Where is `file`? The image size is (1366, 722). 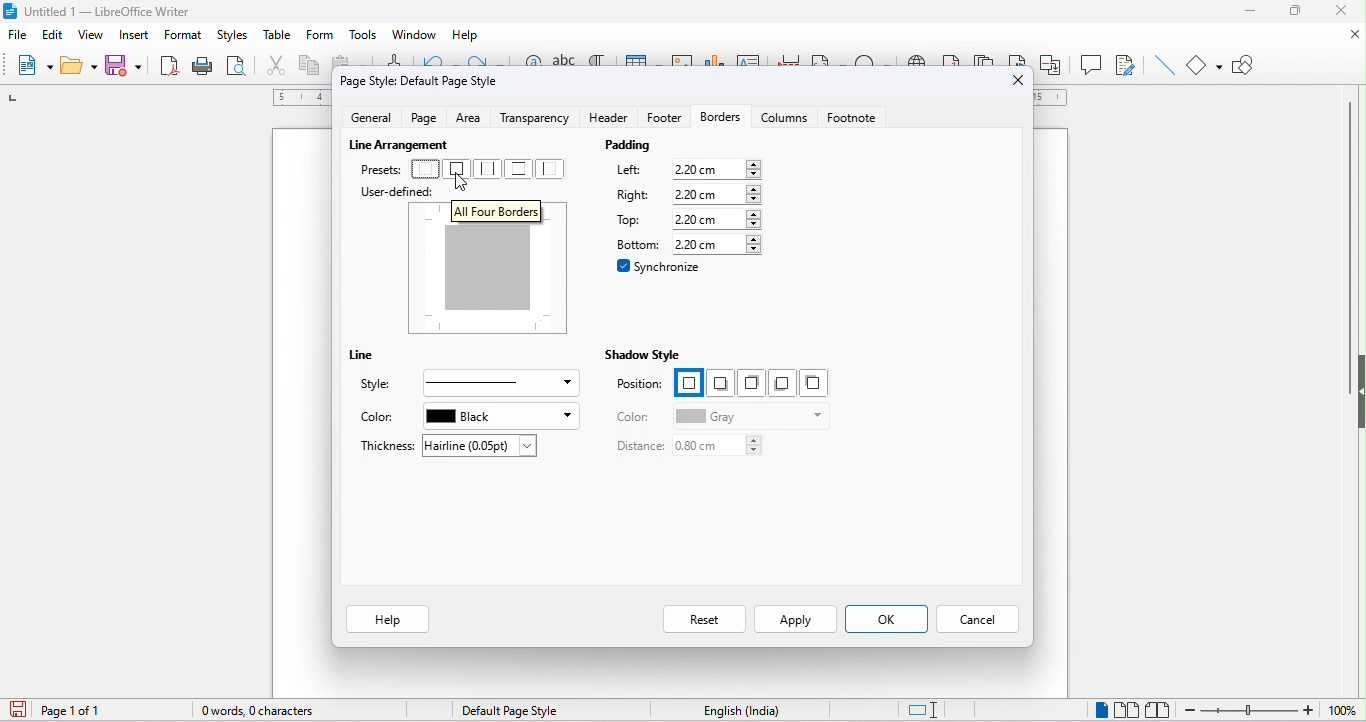 file is located at coordinates (18, 35).